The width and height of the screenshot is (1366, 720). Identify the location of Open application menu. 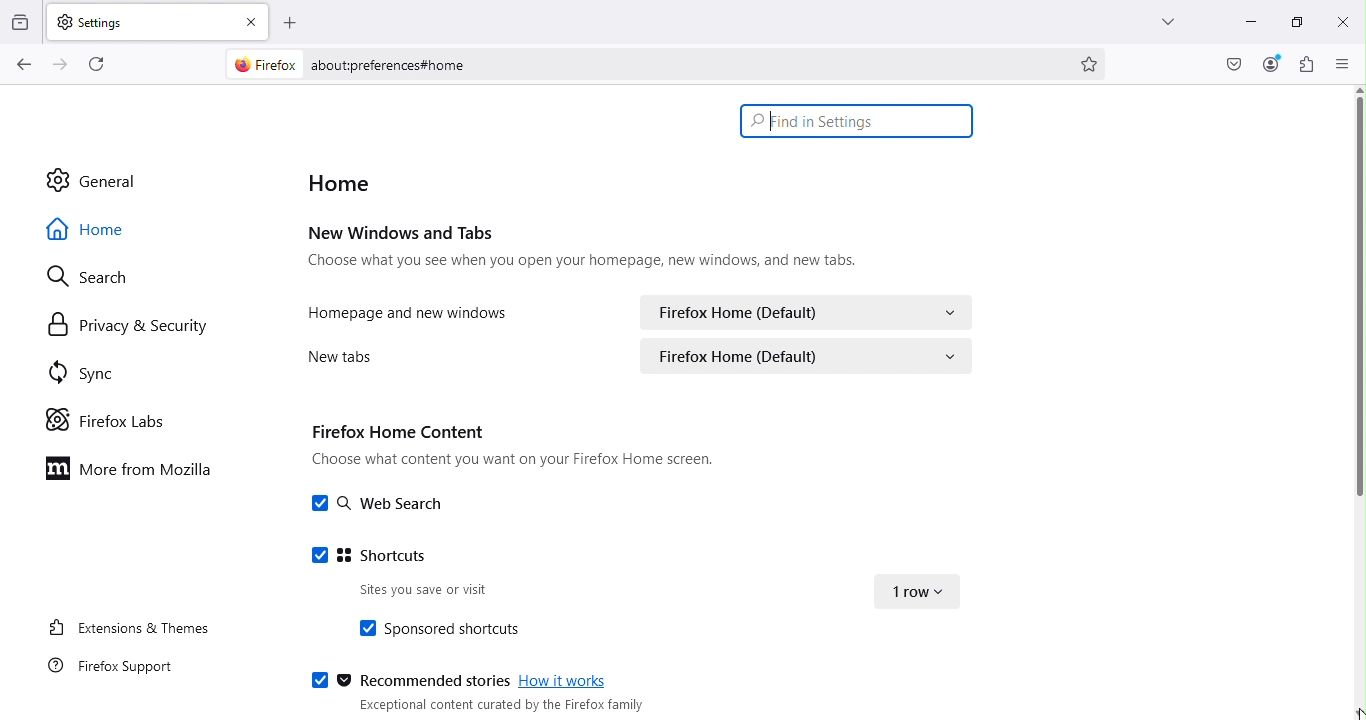
(1344, 65).